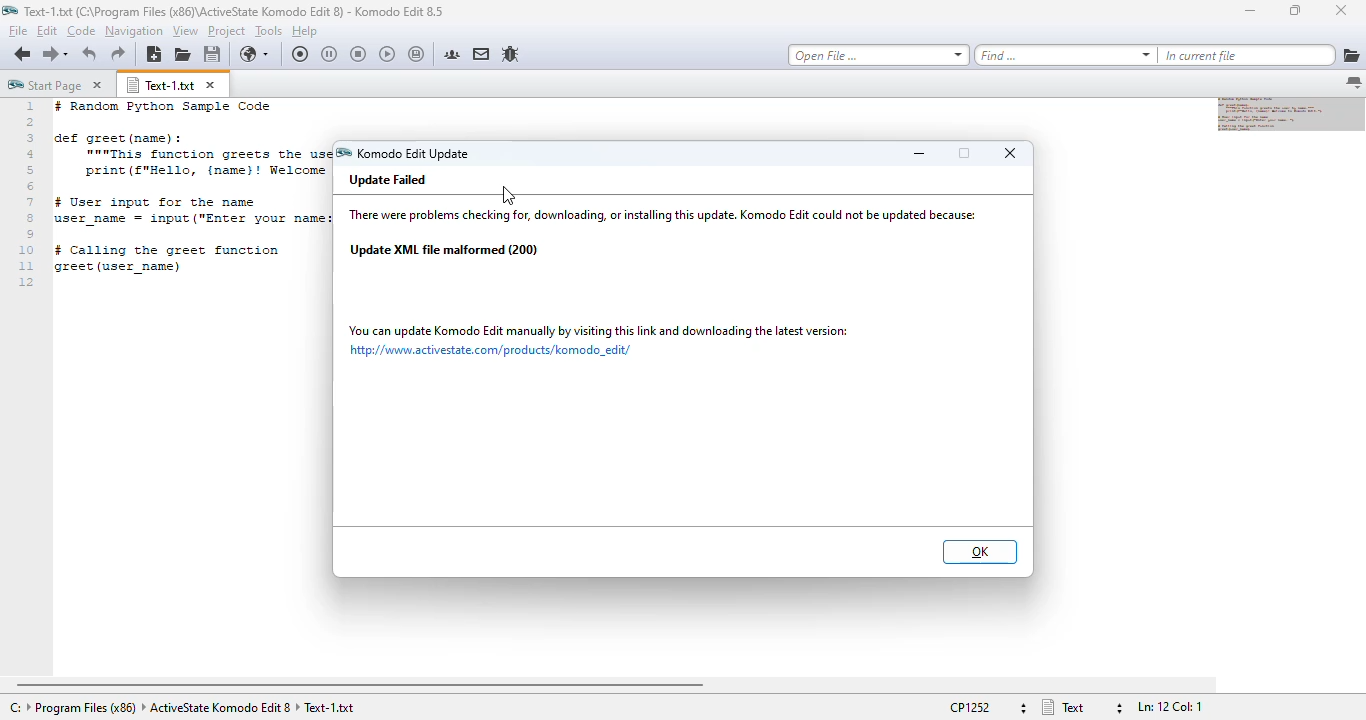 The image size is (1366, 720). What do you see at coordinates (118, 54) in the screenshot?
I see `redo last action` at bounding box center [118, 54].